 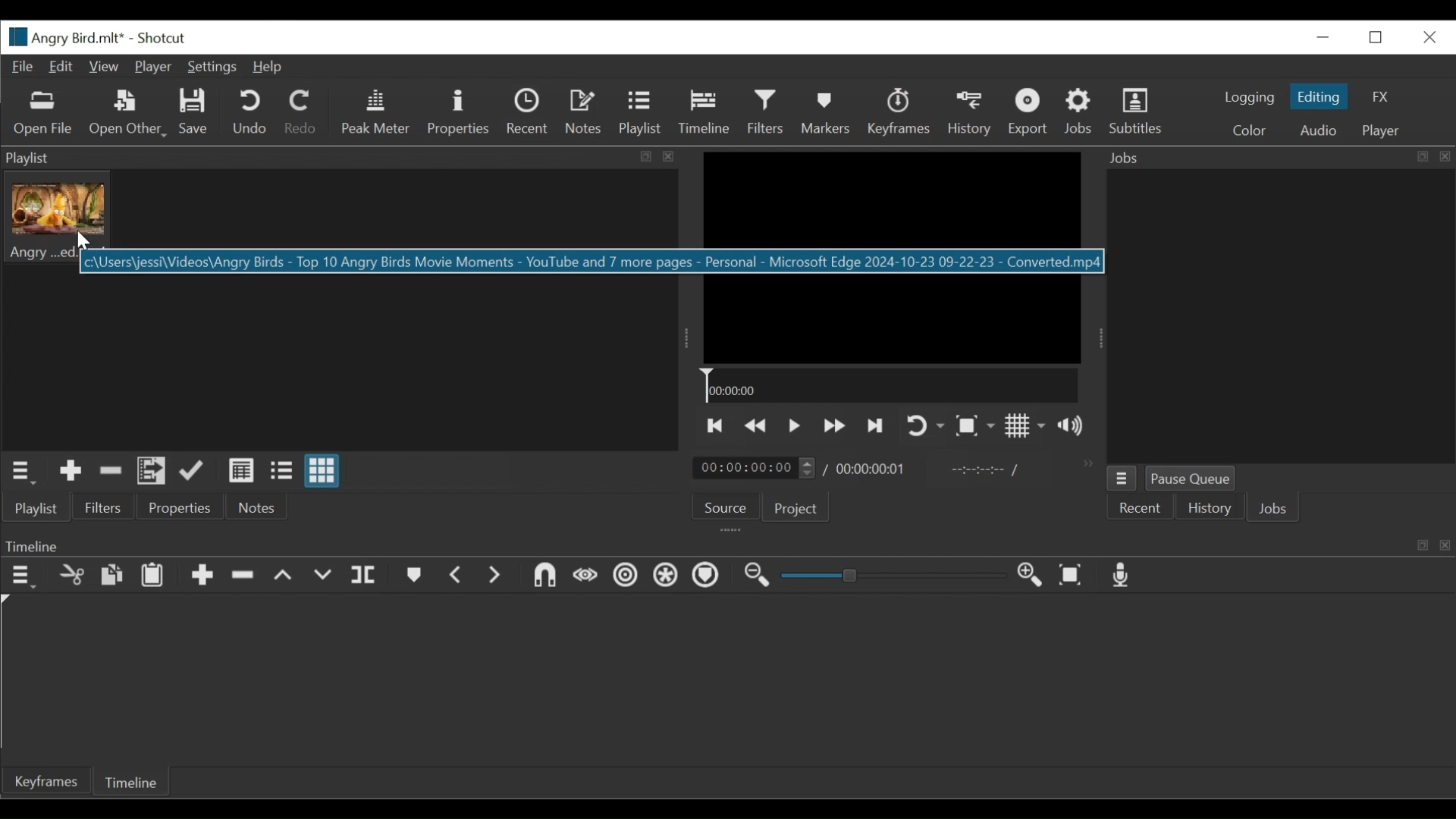 What do you see at coordinates (726, 507) in the screenshot?
I see `Source` at bounding box center [726, 507].